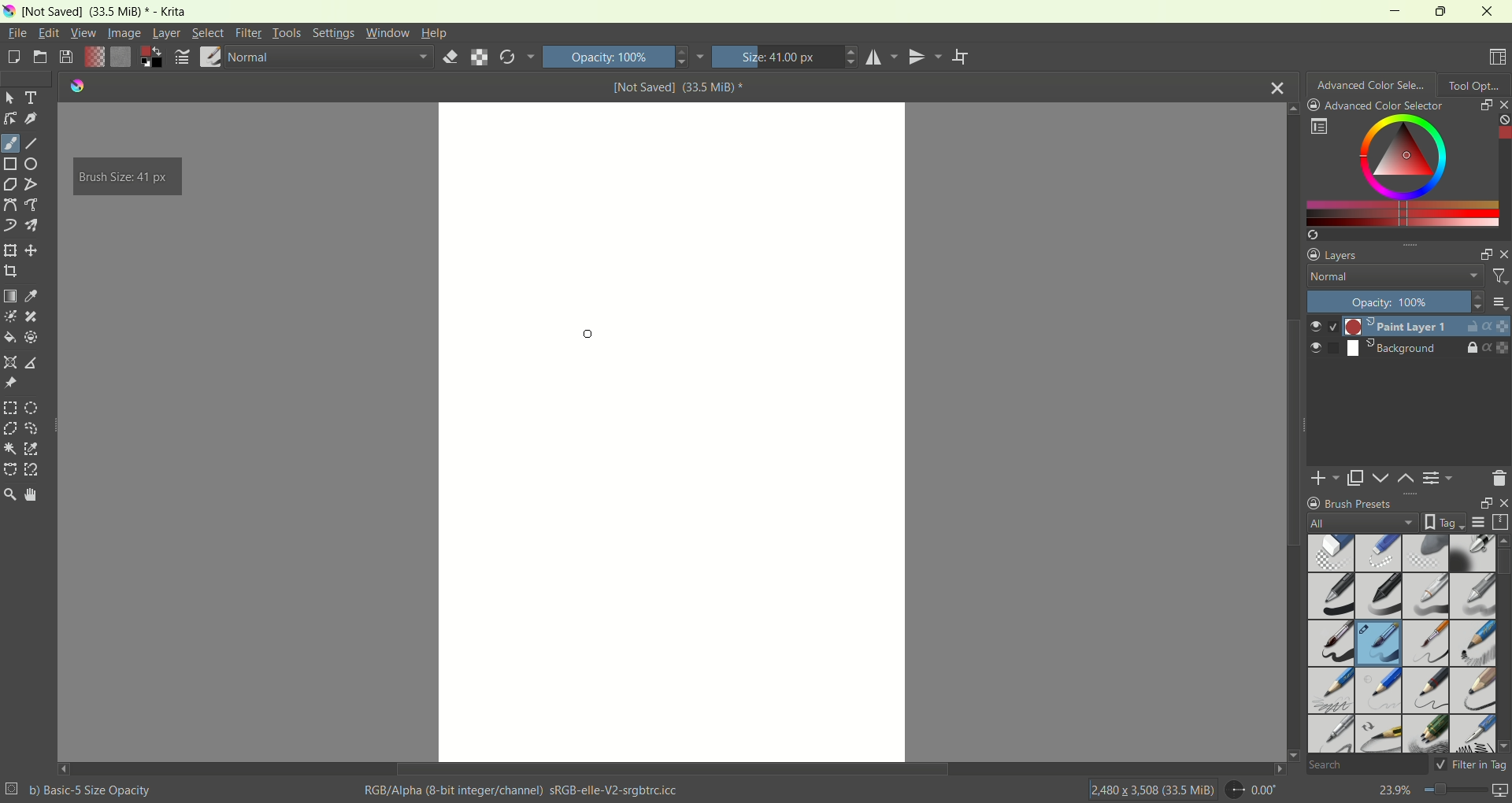 This screenshot has height=803, width=1512. I want to click on logo, so click(9, 12).